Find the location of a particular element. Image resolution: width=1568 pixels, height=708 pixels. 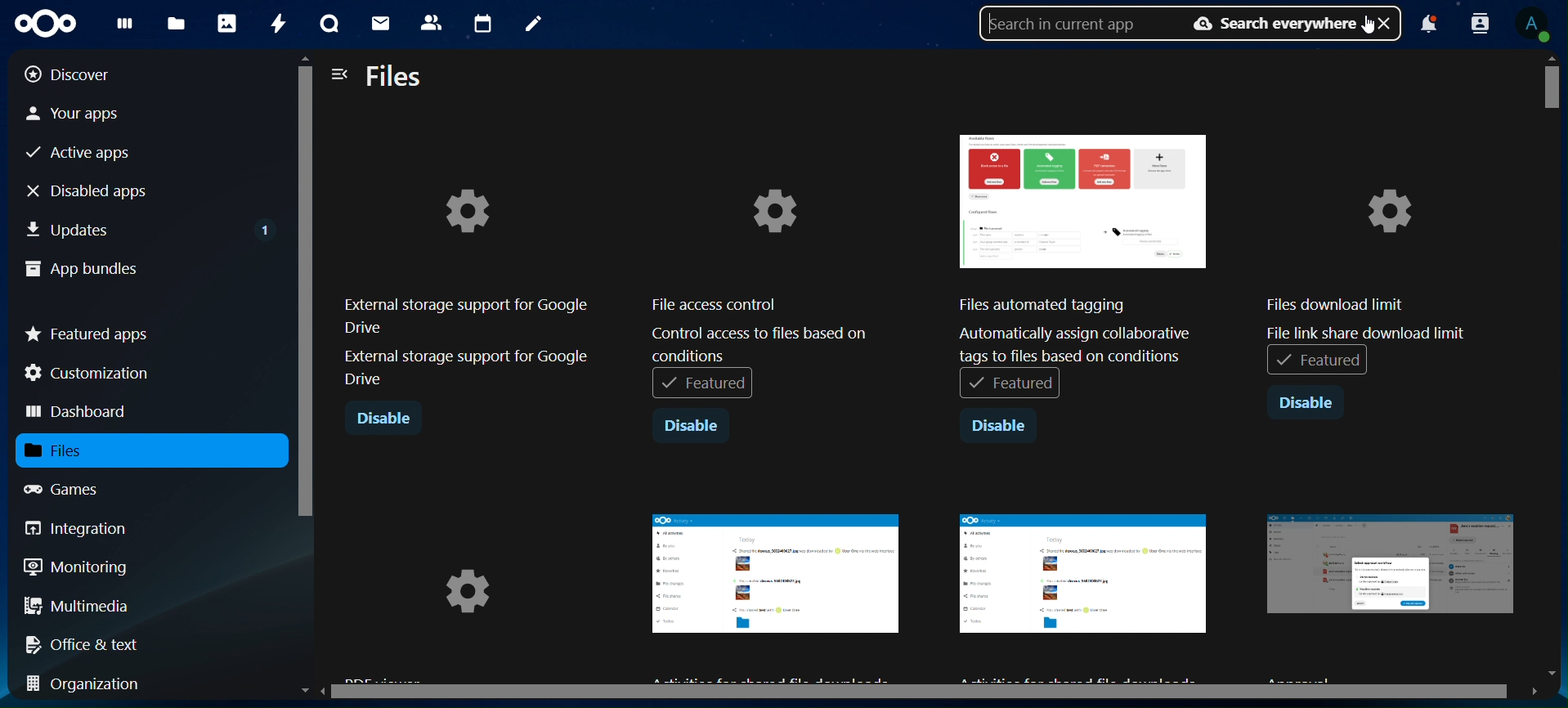

dashboard is located at coordinates (79, 413).